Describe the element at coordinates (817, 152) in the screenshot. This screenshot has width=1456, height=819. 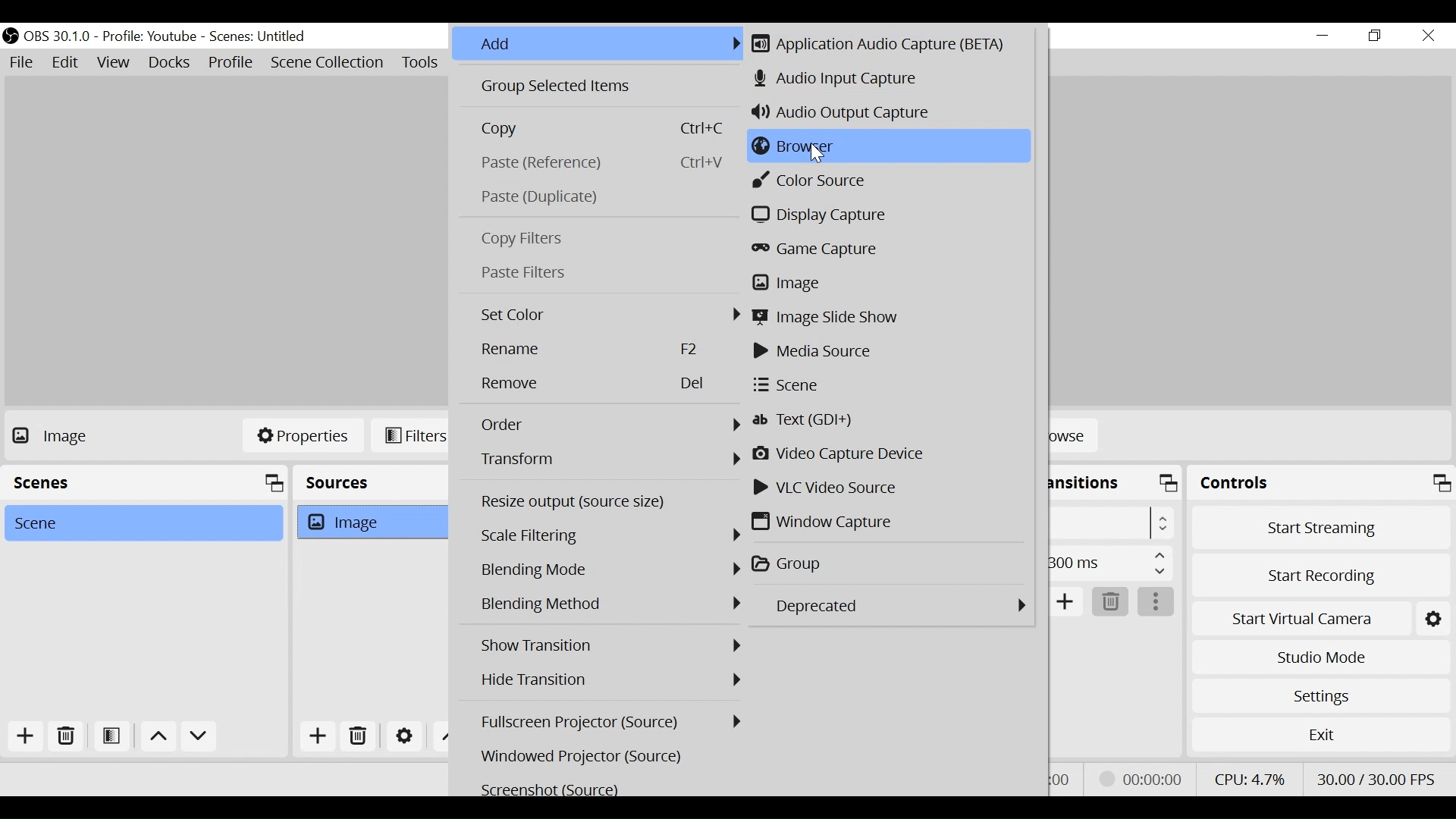
I see `Cursor` at that location.